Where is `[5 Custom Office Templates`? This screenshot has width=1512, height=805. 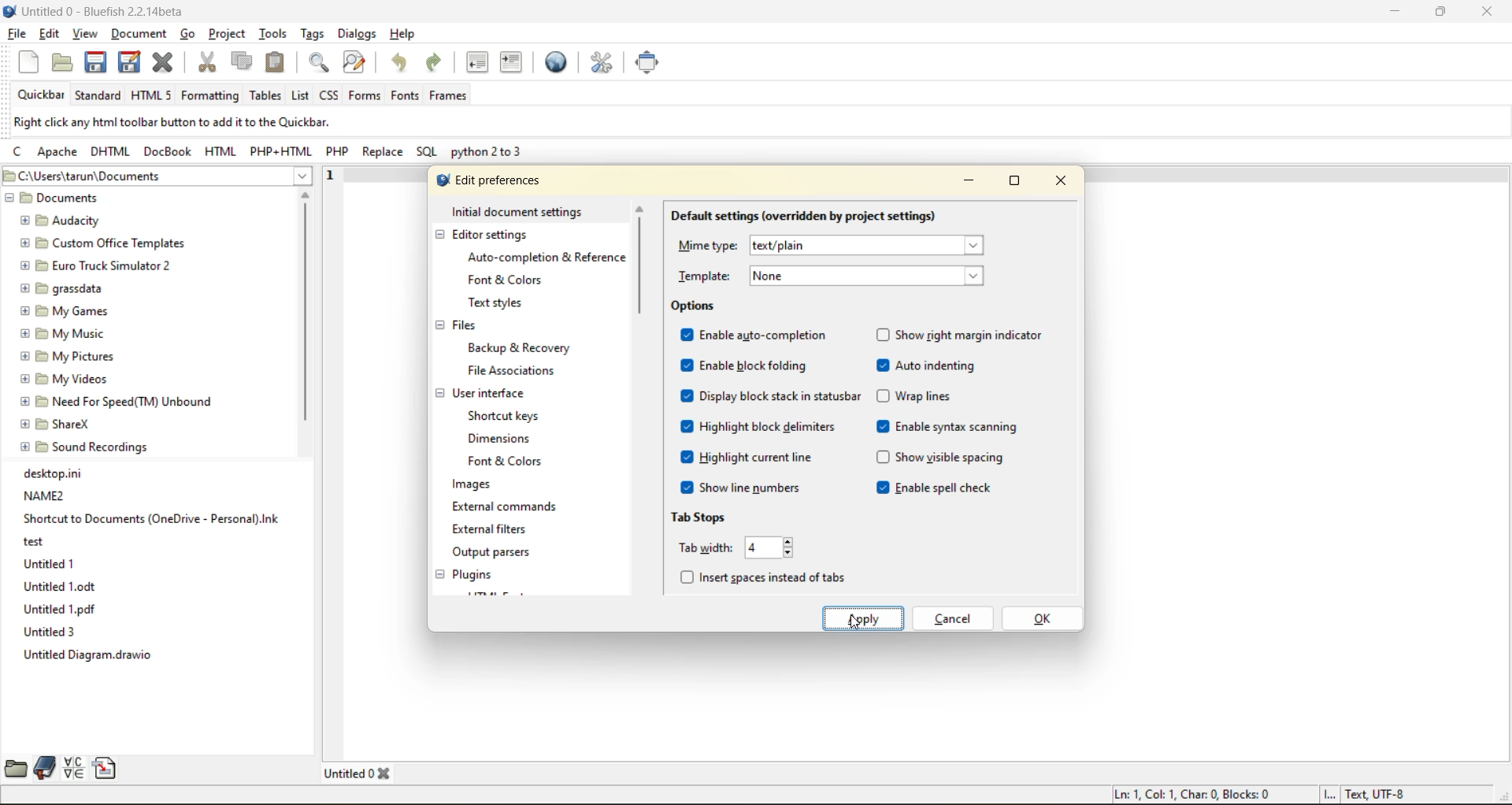 [5 Custom Office Templates is located at coordinates (100, 242).